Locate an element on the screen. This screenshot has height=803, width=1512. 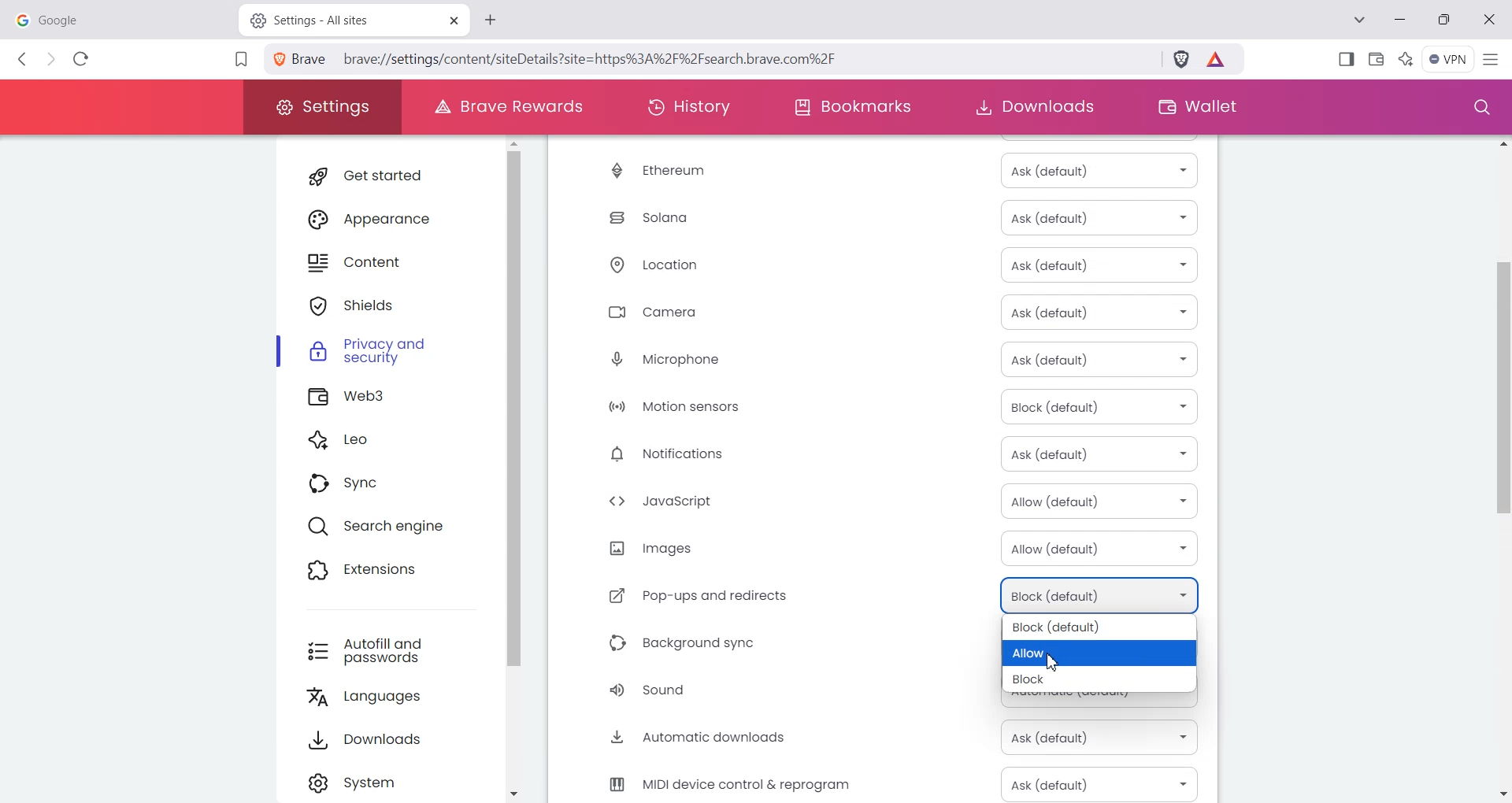
Pop-ups and redirects Block (Default) is located at coordinates (886, 594).